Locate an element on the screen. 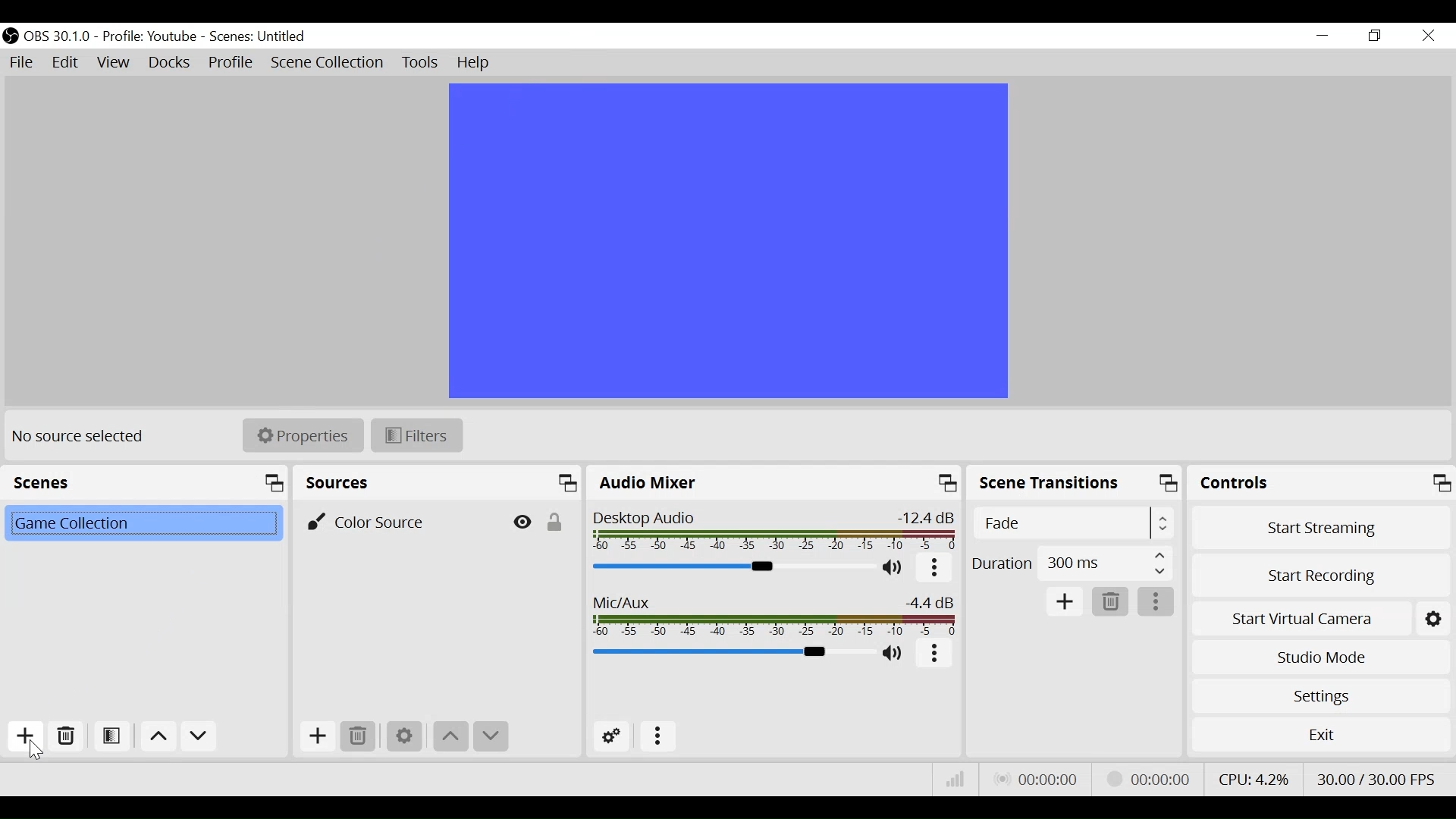  View is located at coordinates (115, 65).